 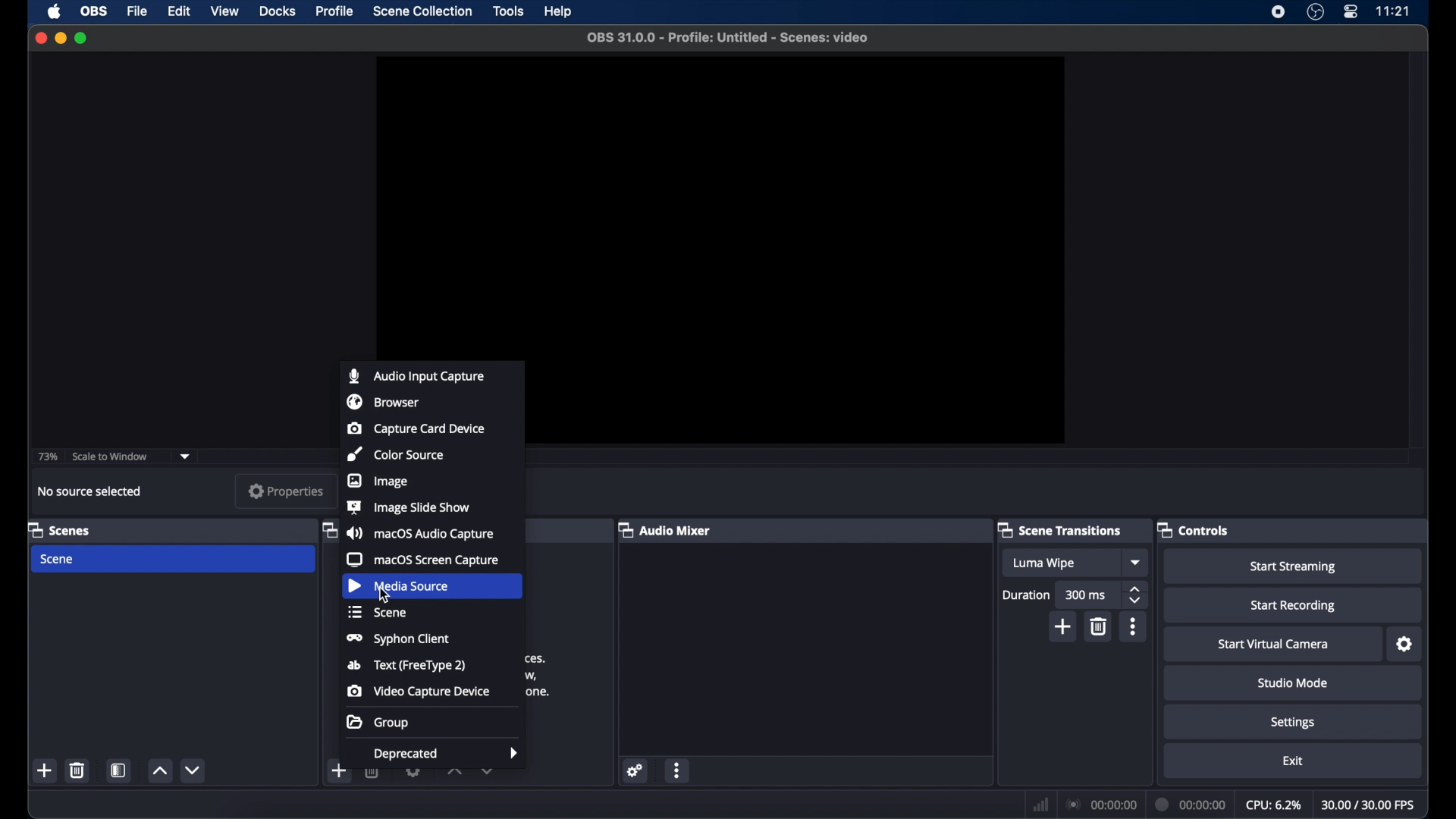 What do you see at coordinates (335, 11) in the screenshot?
I see `profile` at bounding box center [335, 11].